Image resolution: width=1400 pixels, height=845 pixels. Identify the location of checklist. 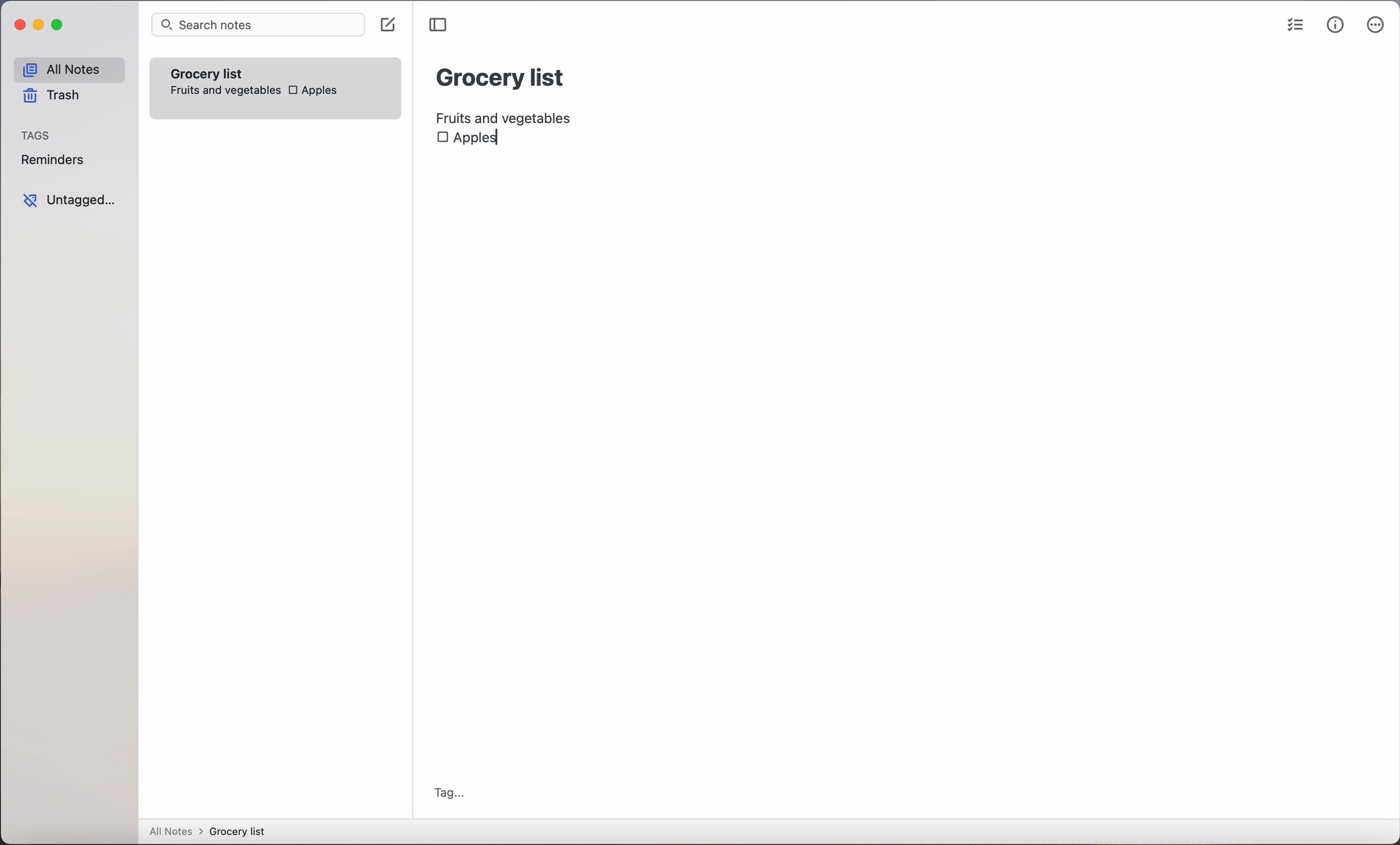
(1293, 27).